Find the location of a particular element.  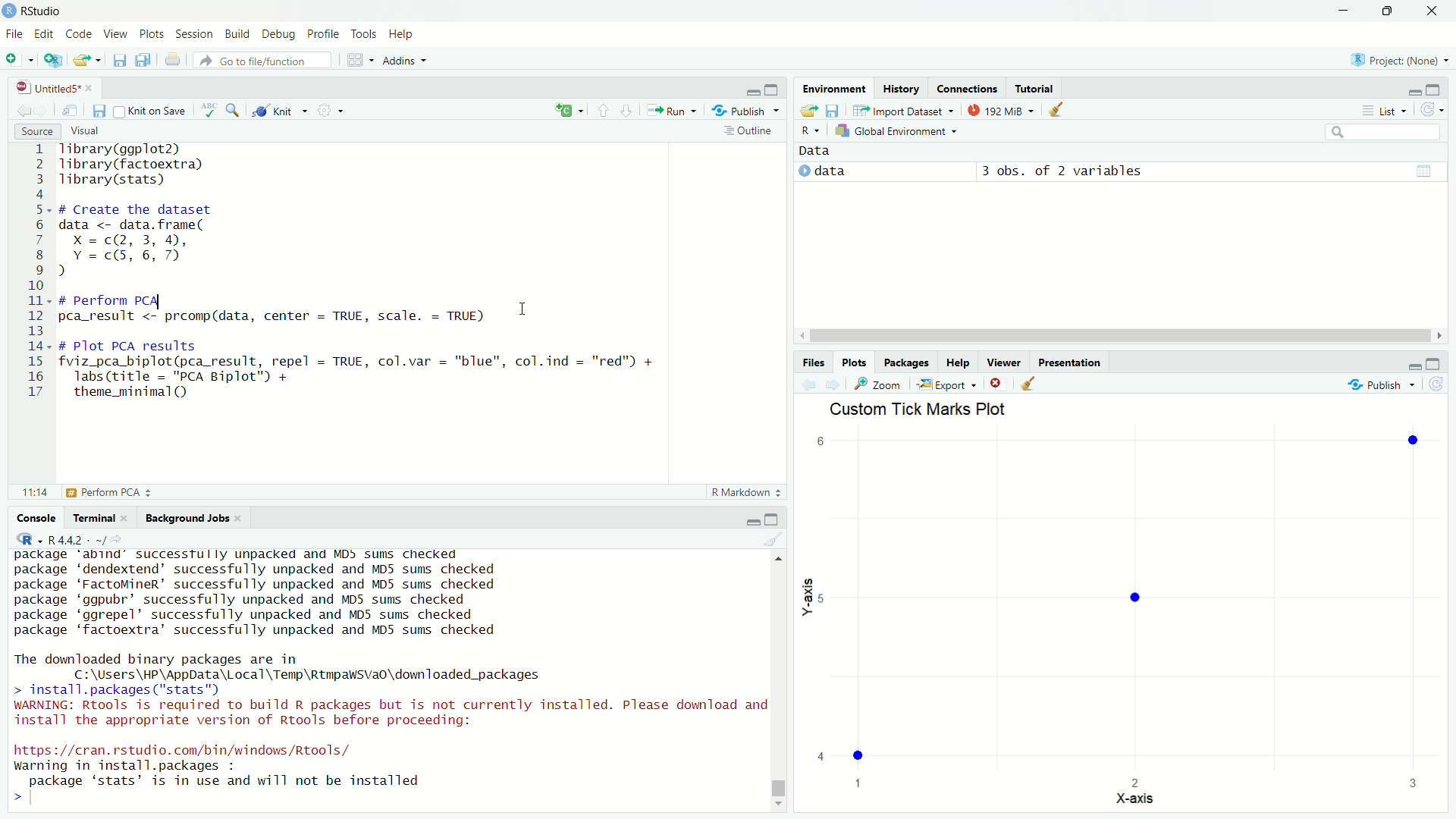

spelling check is located at coordinates (211, 110).